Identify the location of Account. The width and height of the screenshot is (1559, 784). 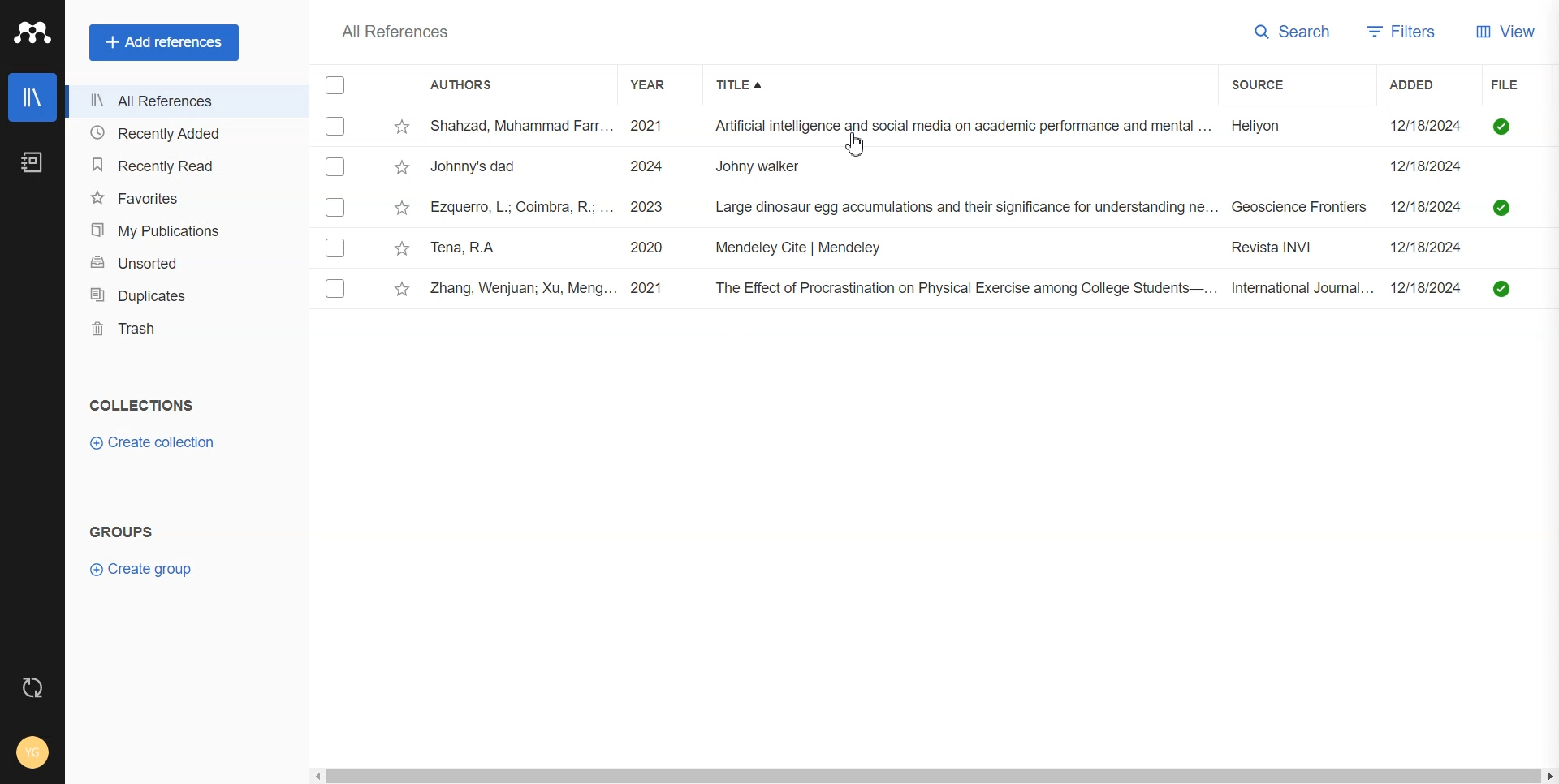
(32, 752).